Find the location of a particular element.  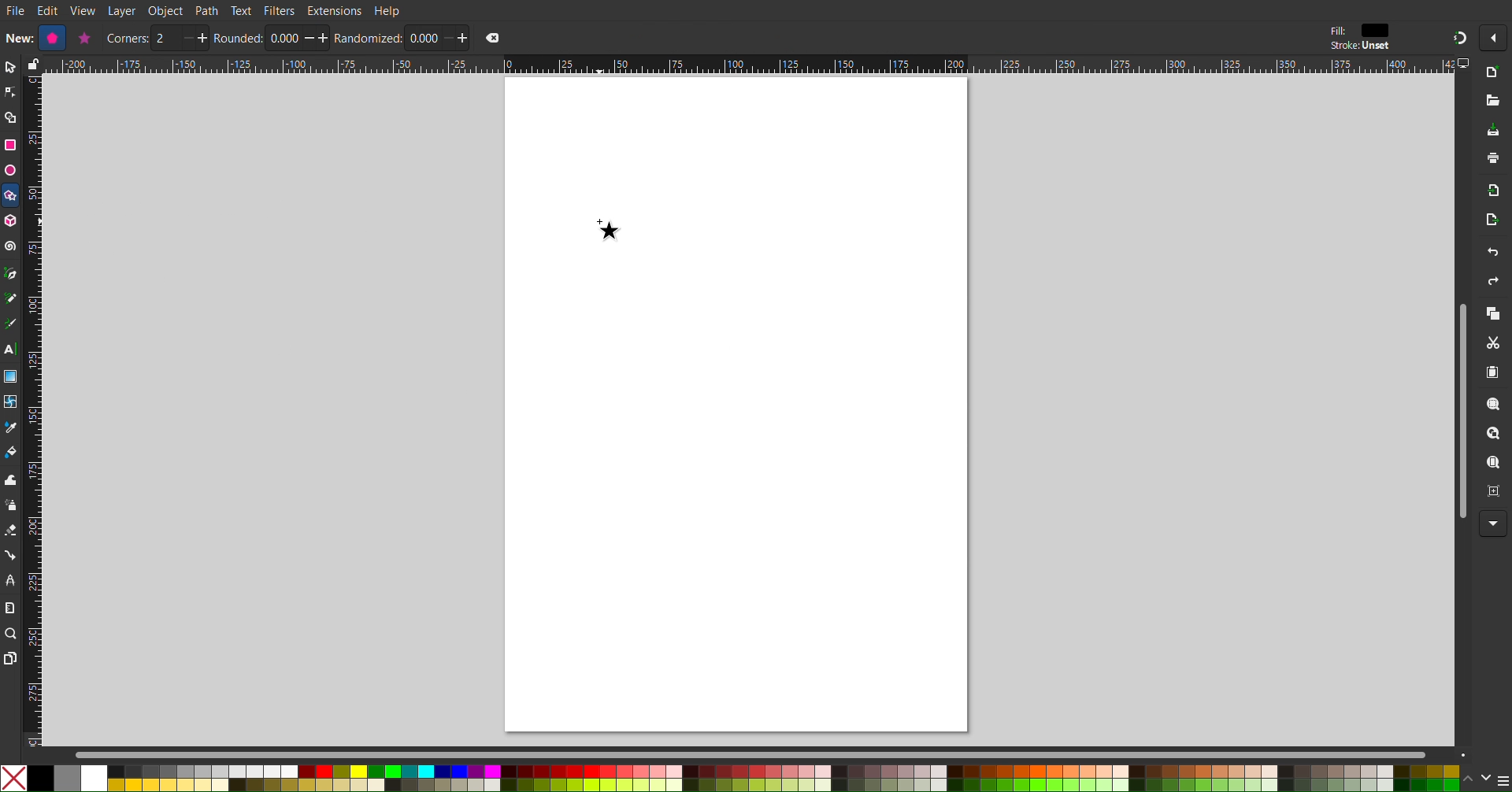

Gradient Tool is located at coordinates (11, 376).